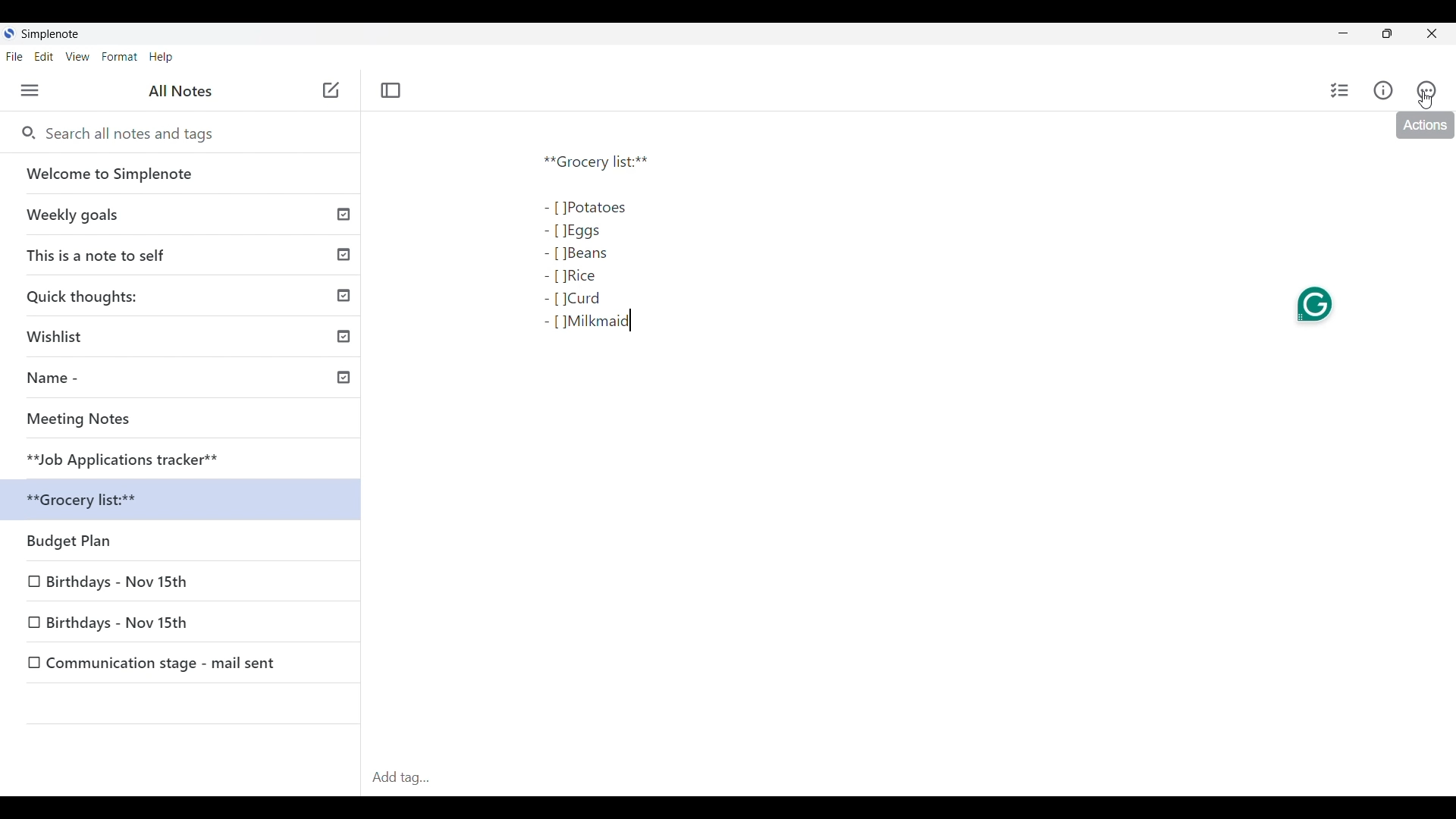 The image size is (1456, 819). Describe the element at coordinates (187, 216) in the screenshot. I see `Weekly goals` at that location.